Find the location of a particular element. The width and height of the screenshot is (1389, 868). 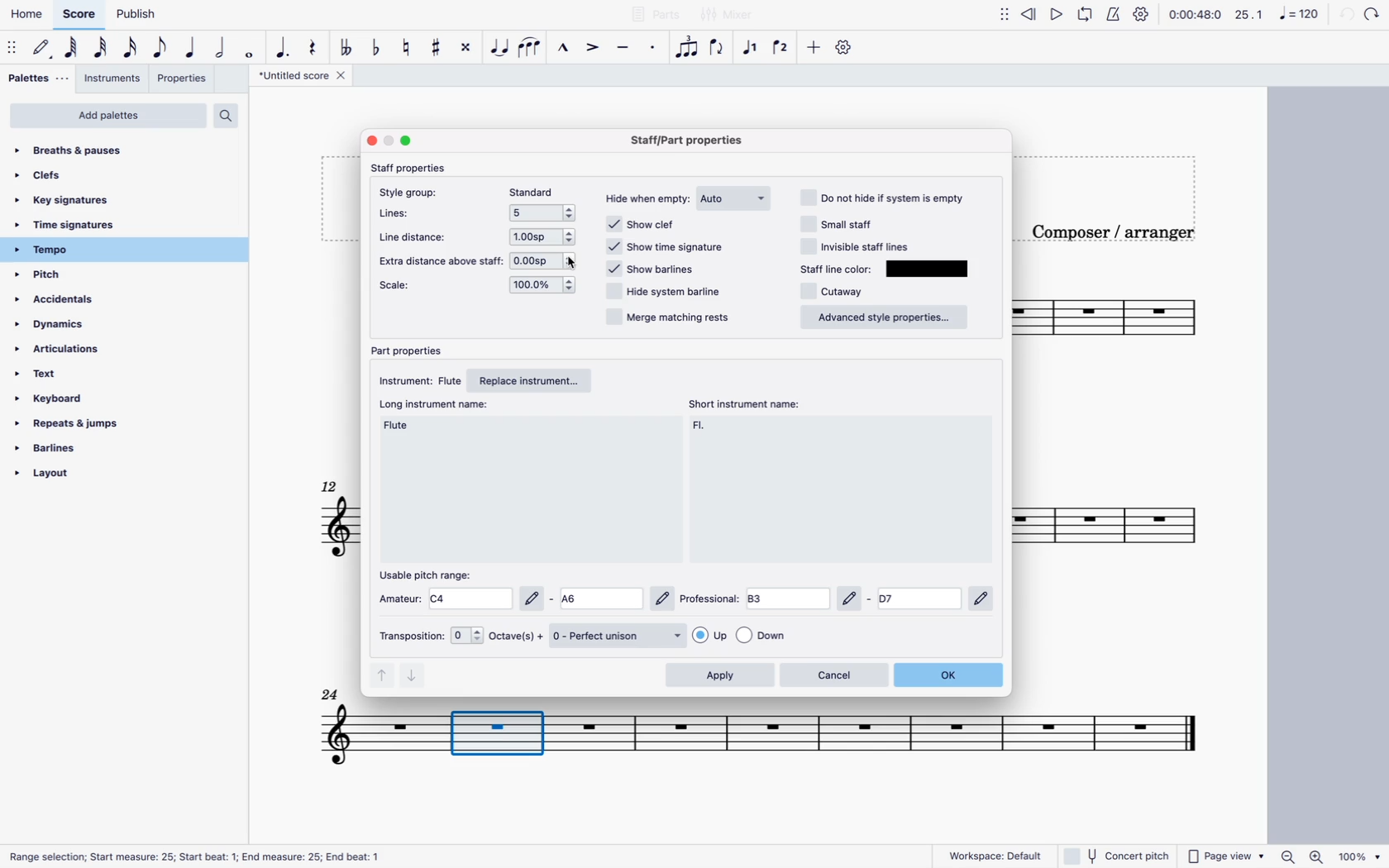

staff properties is located at coordinates (413, 168).